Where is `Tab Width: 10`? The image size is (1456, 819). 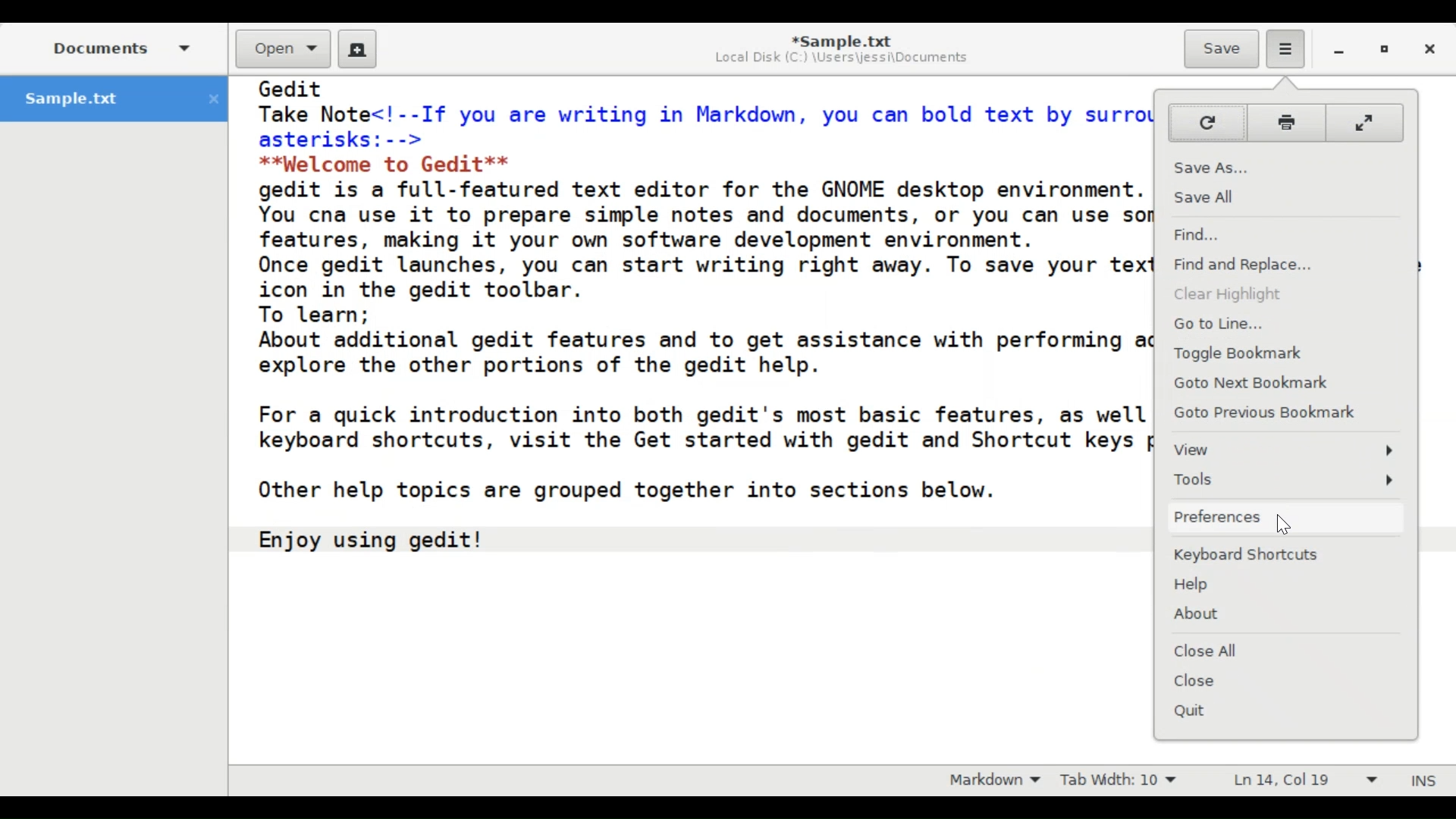
Tab Width: 10 is located at coordinates (1122, 780).